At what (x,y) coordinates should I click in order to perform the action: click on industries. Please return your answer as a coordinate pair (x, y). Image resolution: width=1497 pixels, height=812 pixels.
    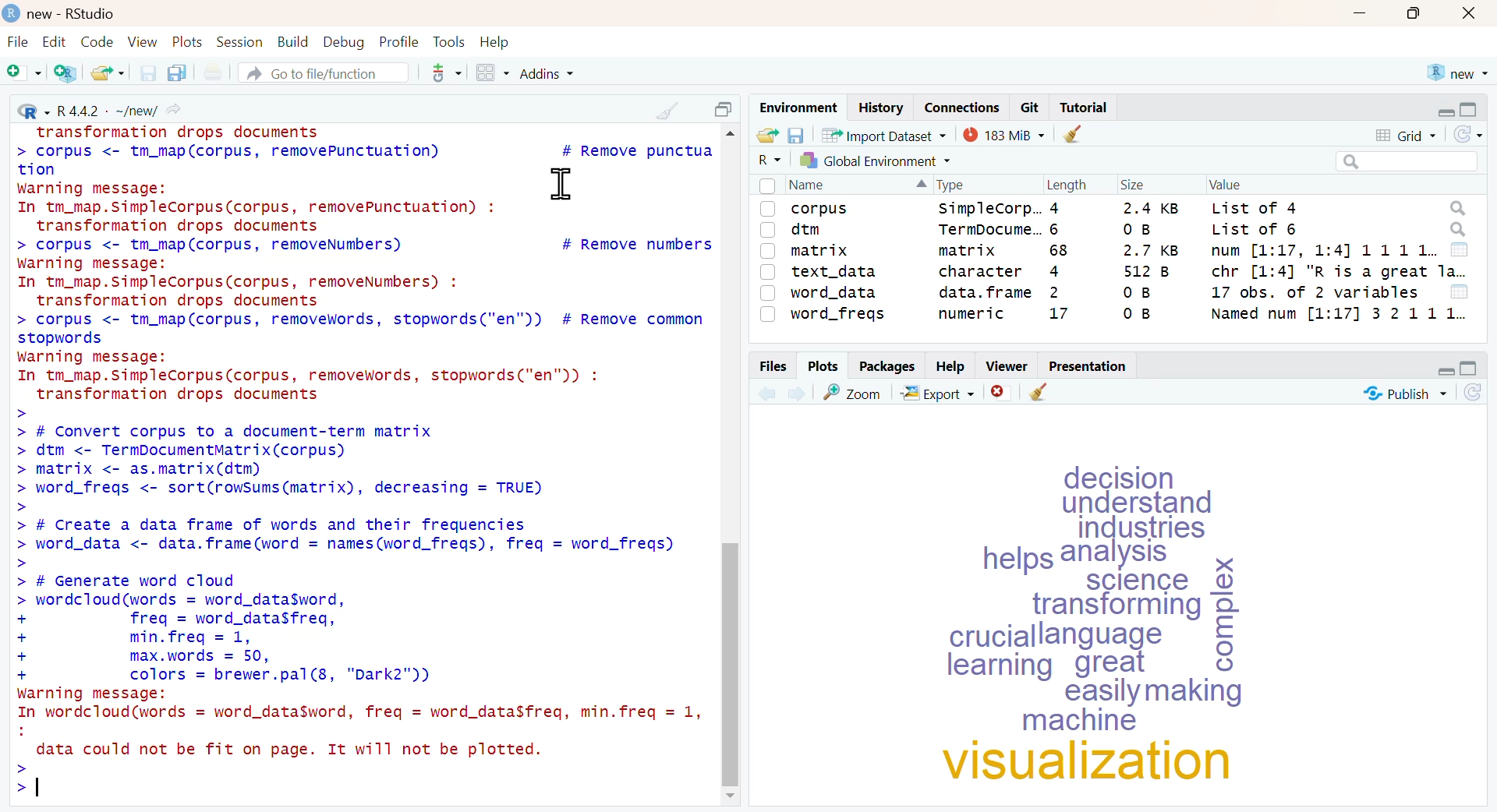
    Looking at the image, I should click on (1146, 529).